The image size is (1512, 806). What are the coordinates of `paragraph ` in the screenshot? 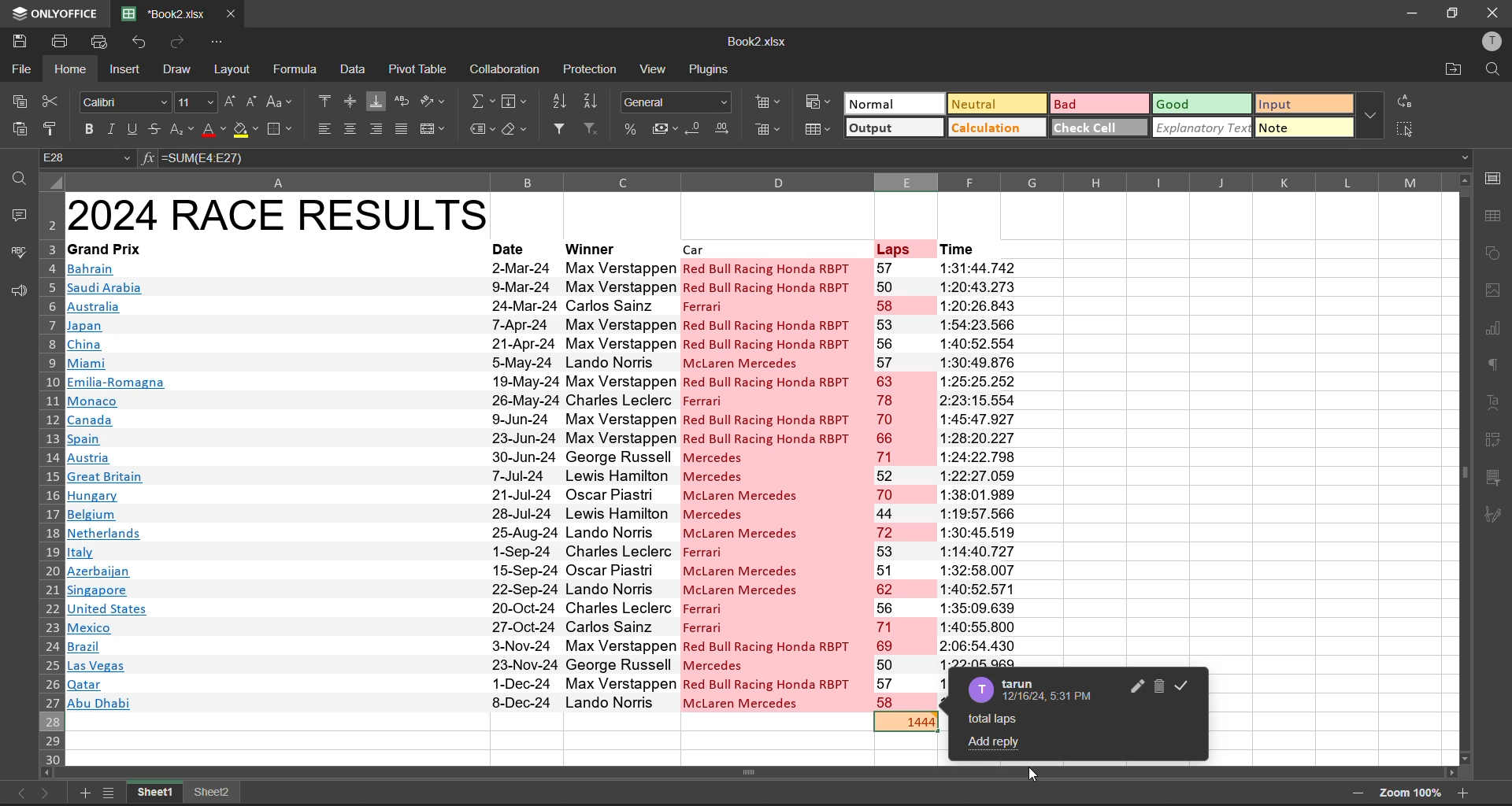 It's located at (1492, 367).